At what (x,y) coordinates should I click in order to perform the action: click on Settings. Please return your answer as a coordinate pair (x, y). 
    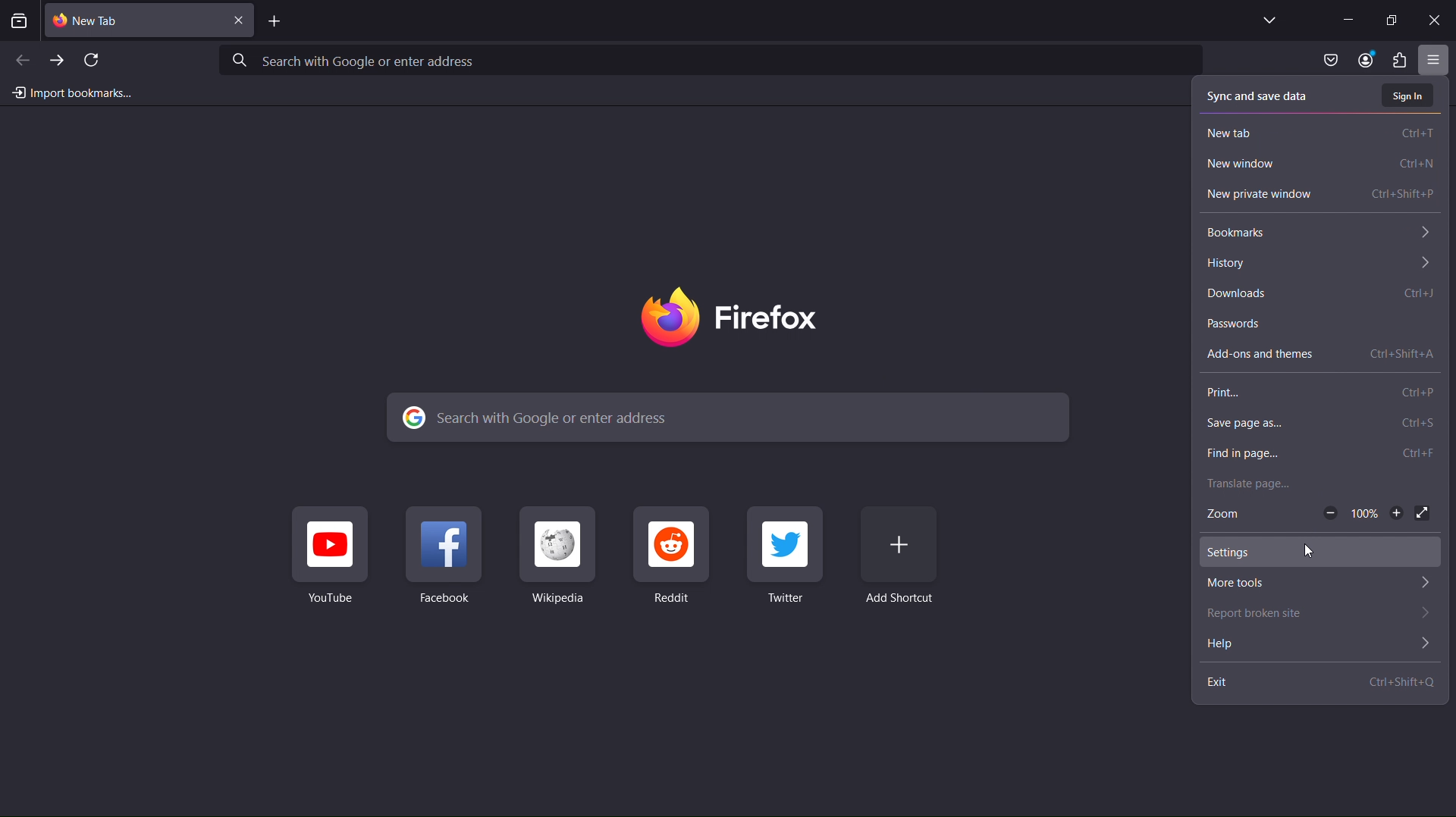
    Looking at the image, I should click on (1324, 556).